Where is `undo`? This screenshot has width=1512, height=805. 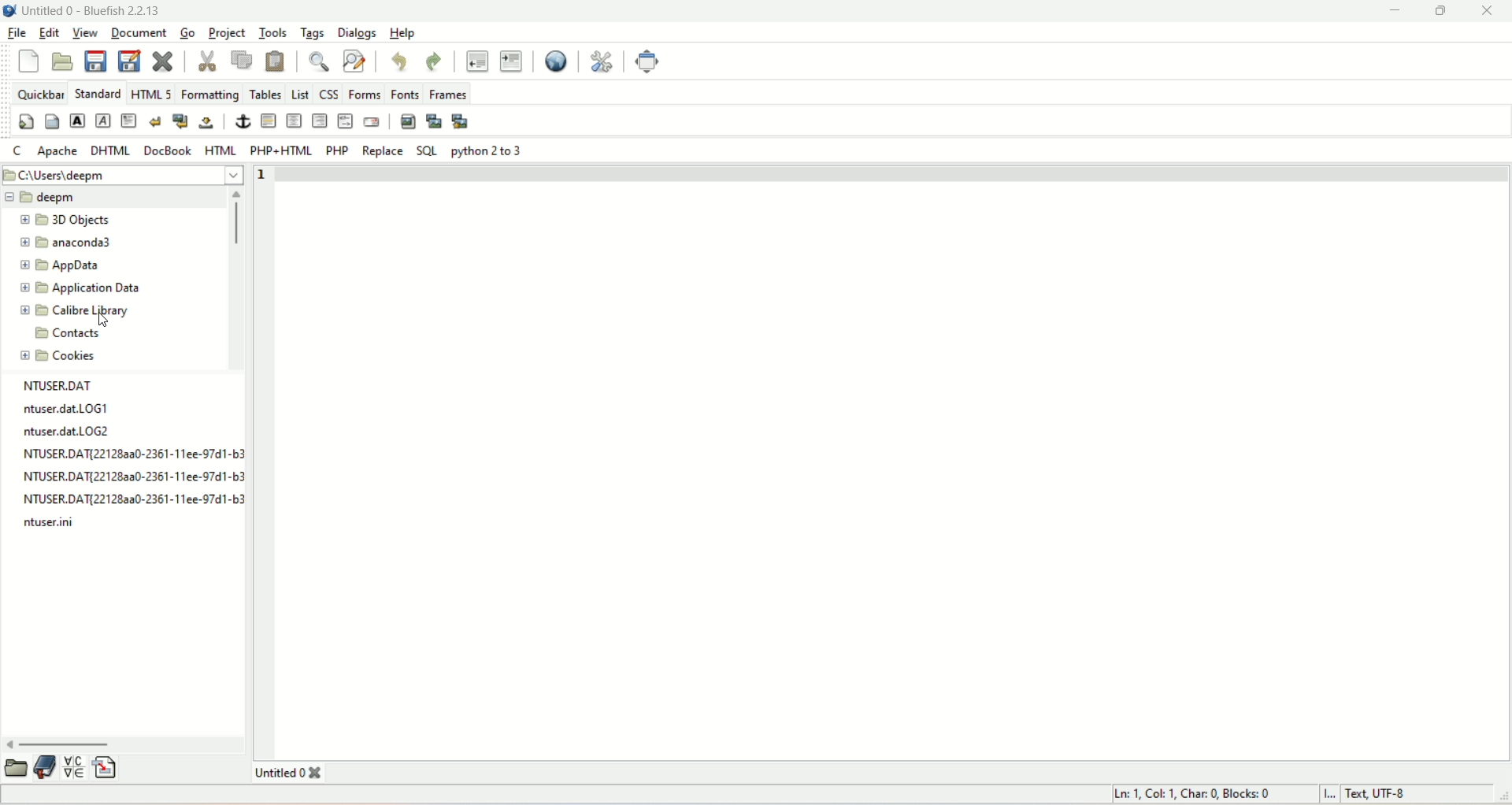 undo is located at coordinates (398, 63).